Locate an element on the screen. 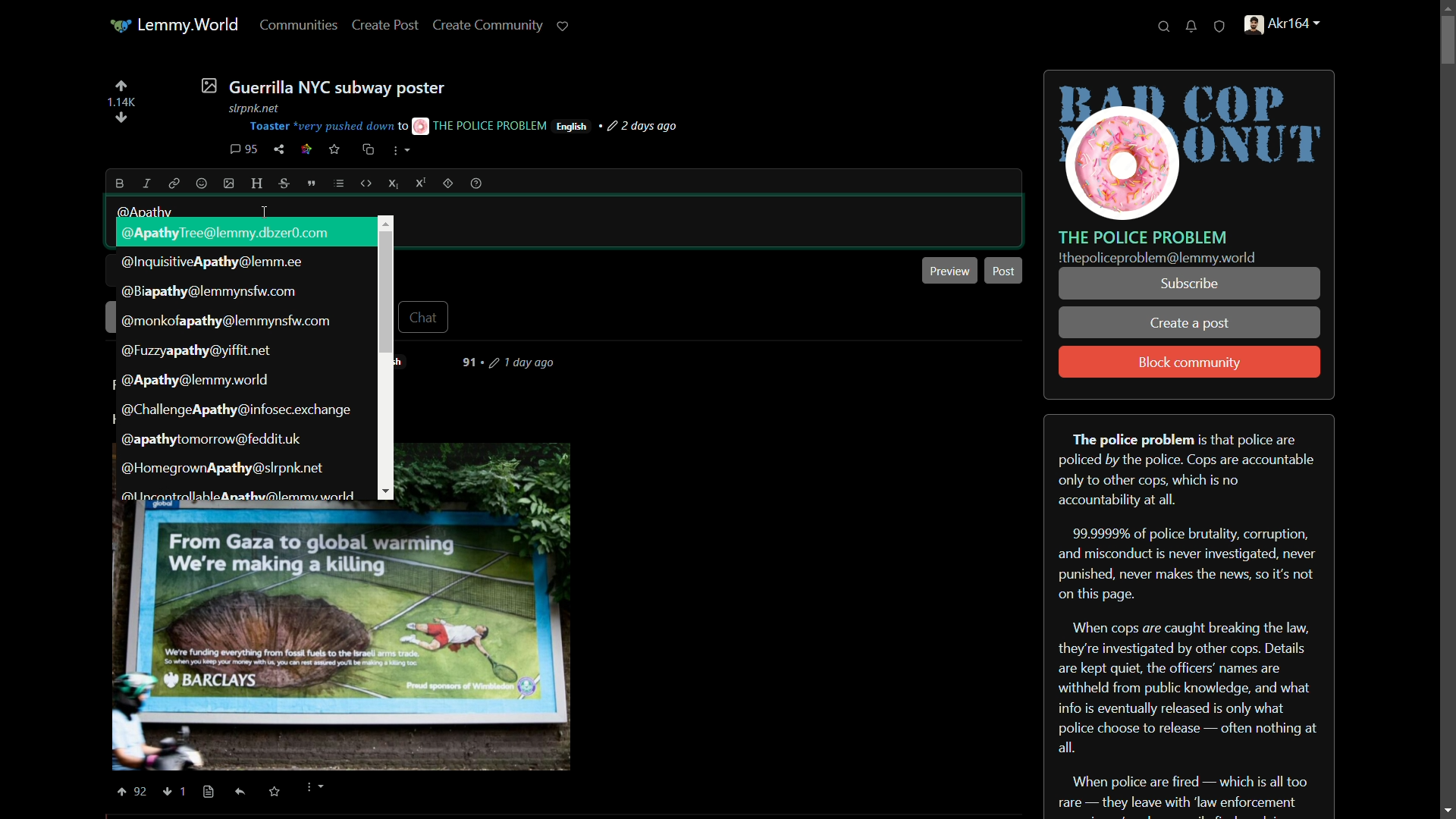  suggestion-6 is located at coordinates (194, 380).